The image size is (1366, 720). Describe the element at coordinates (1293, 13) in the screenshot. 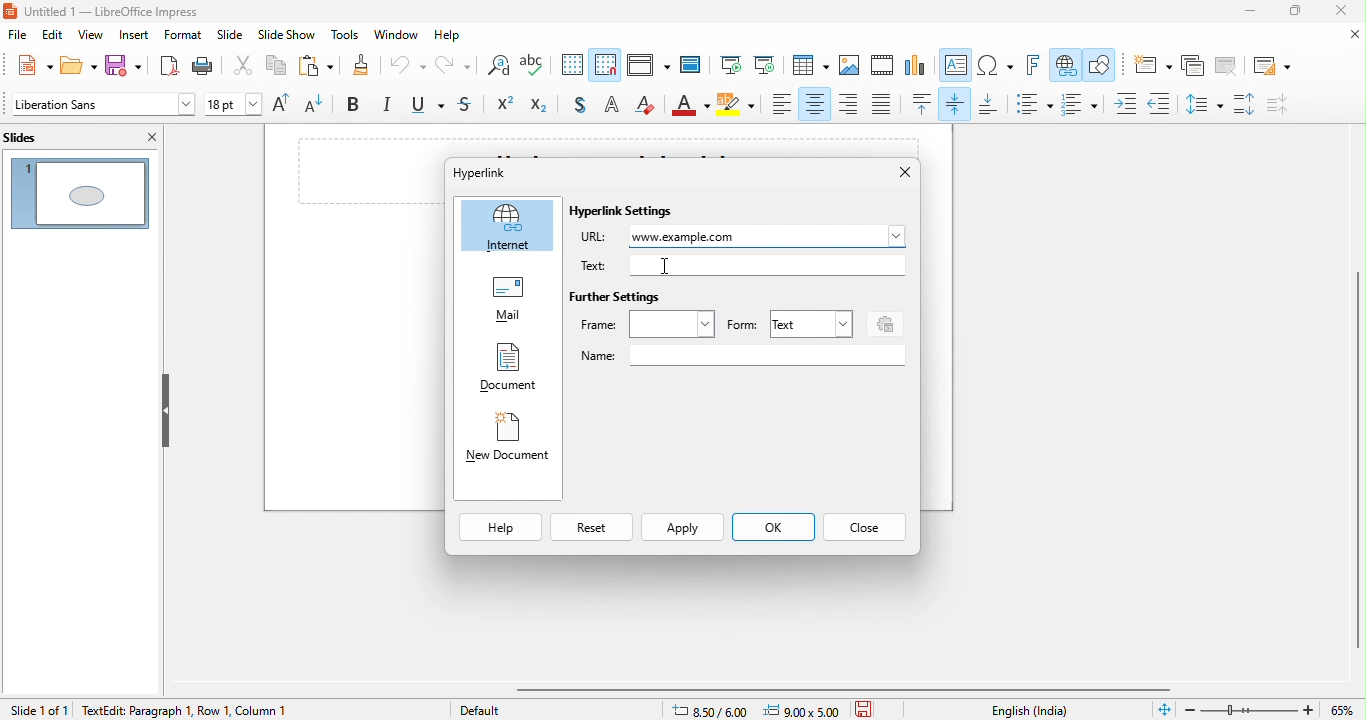

I see `maximize` at that location.